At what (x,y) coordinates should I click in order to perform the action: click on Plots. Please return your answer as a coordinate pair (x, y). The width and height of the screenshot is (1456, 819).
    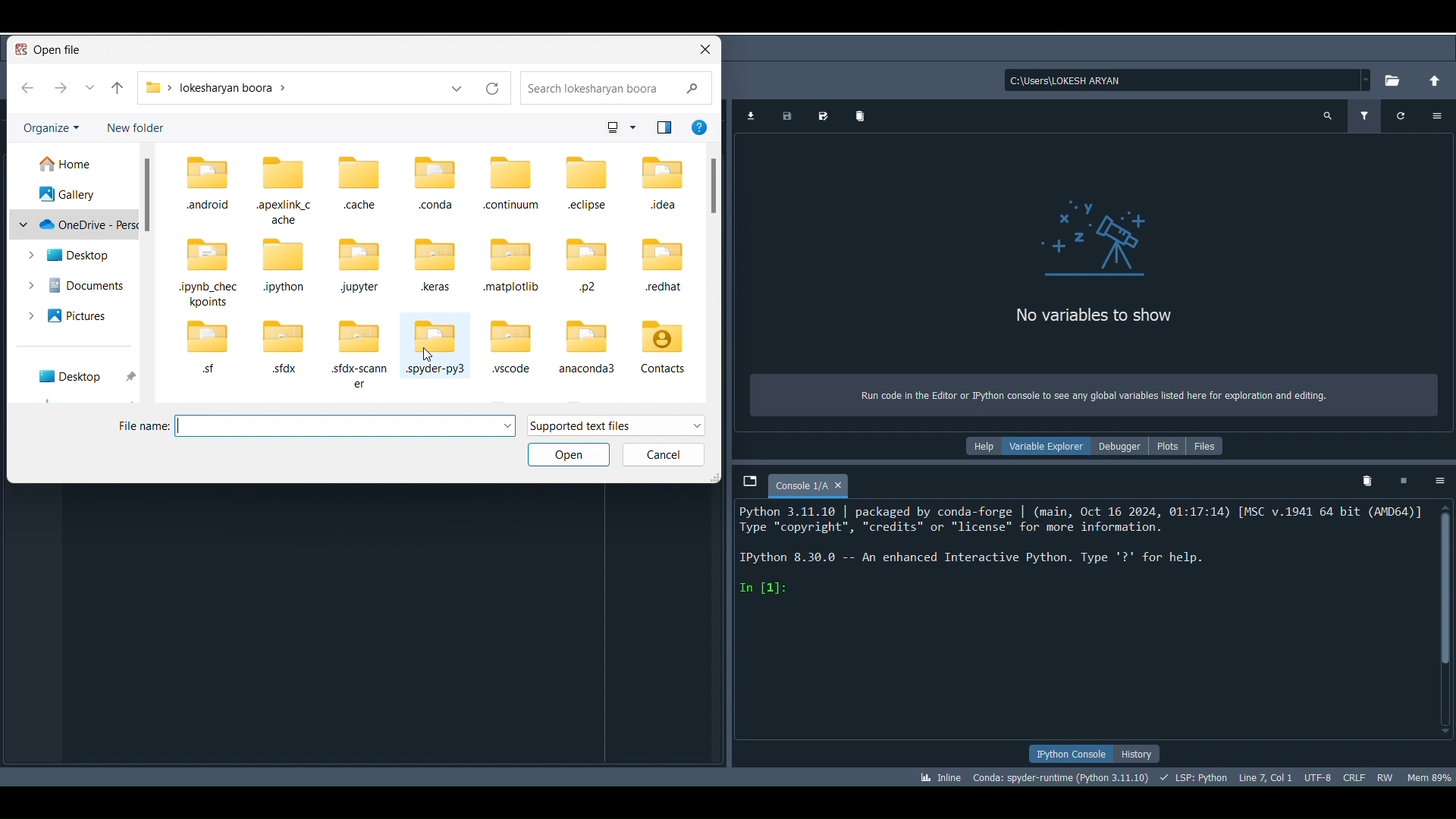
    Looking at the image, I should click on (1166, 444).